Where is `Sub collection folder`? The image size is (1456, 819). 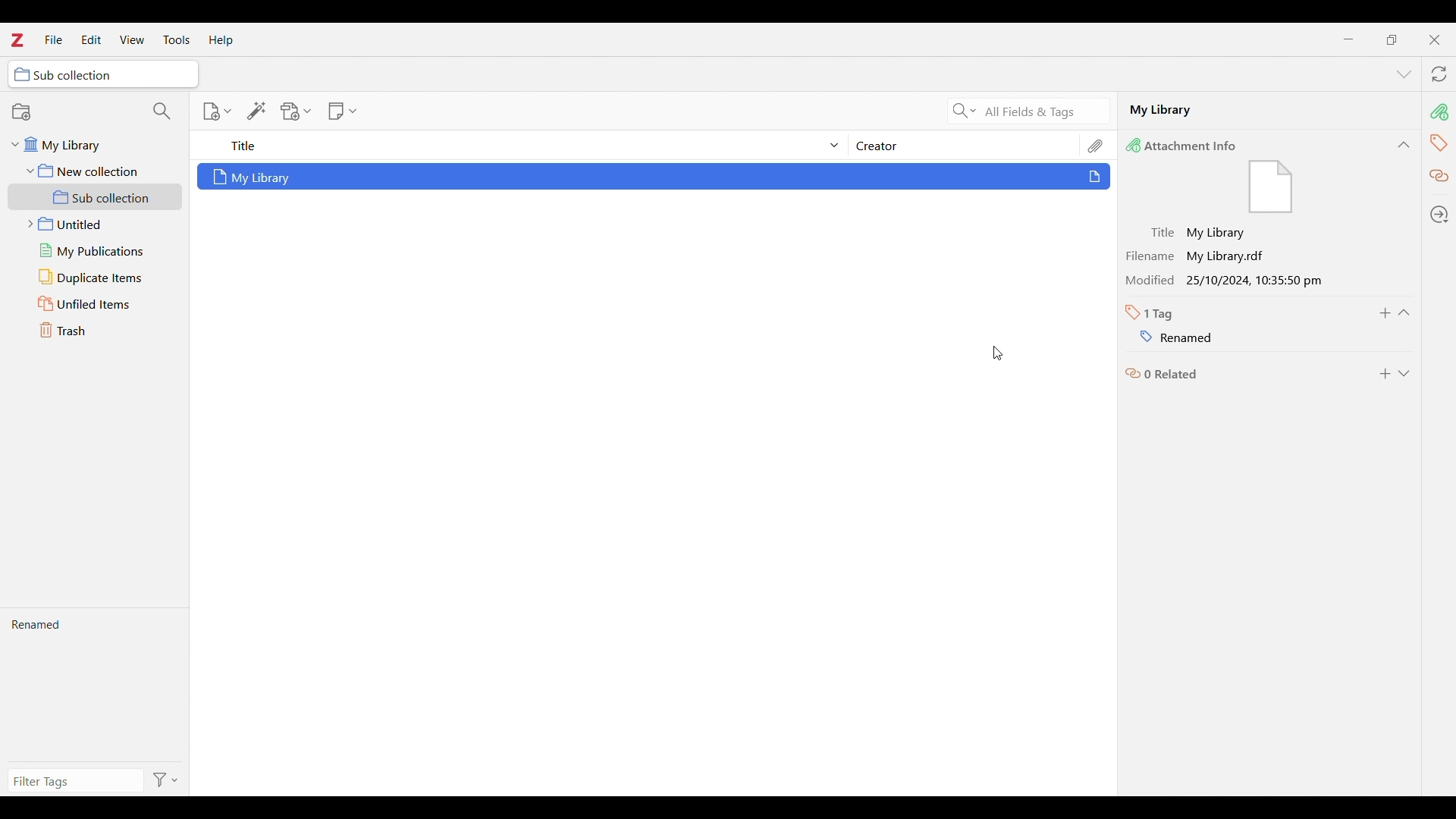 Sub collection folder is located at coordinates (96, 197).